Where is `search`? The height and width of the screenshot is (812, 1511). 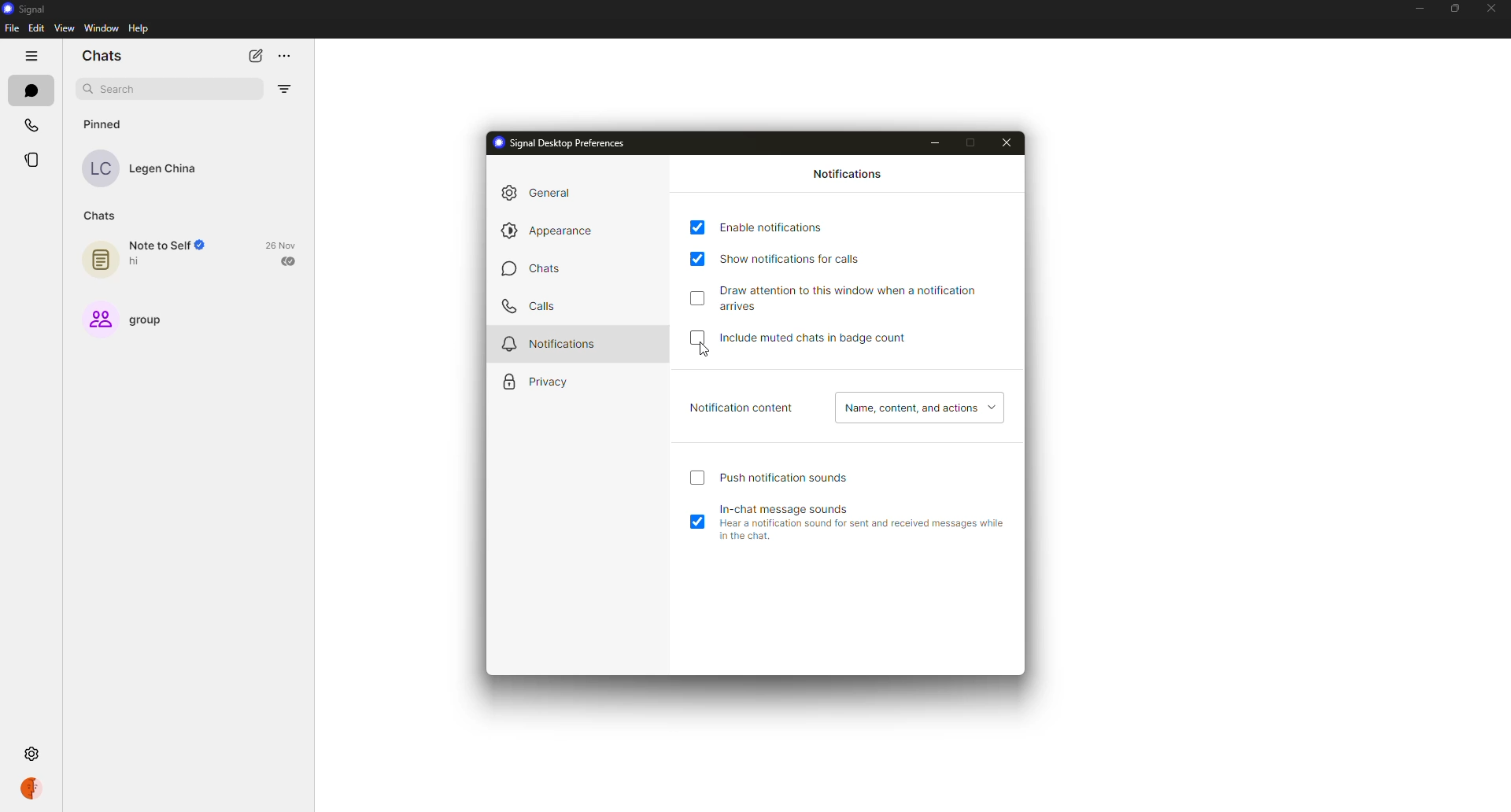 search is located at coordinates (118, 87).